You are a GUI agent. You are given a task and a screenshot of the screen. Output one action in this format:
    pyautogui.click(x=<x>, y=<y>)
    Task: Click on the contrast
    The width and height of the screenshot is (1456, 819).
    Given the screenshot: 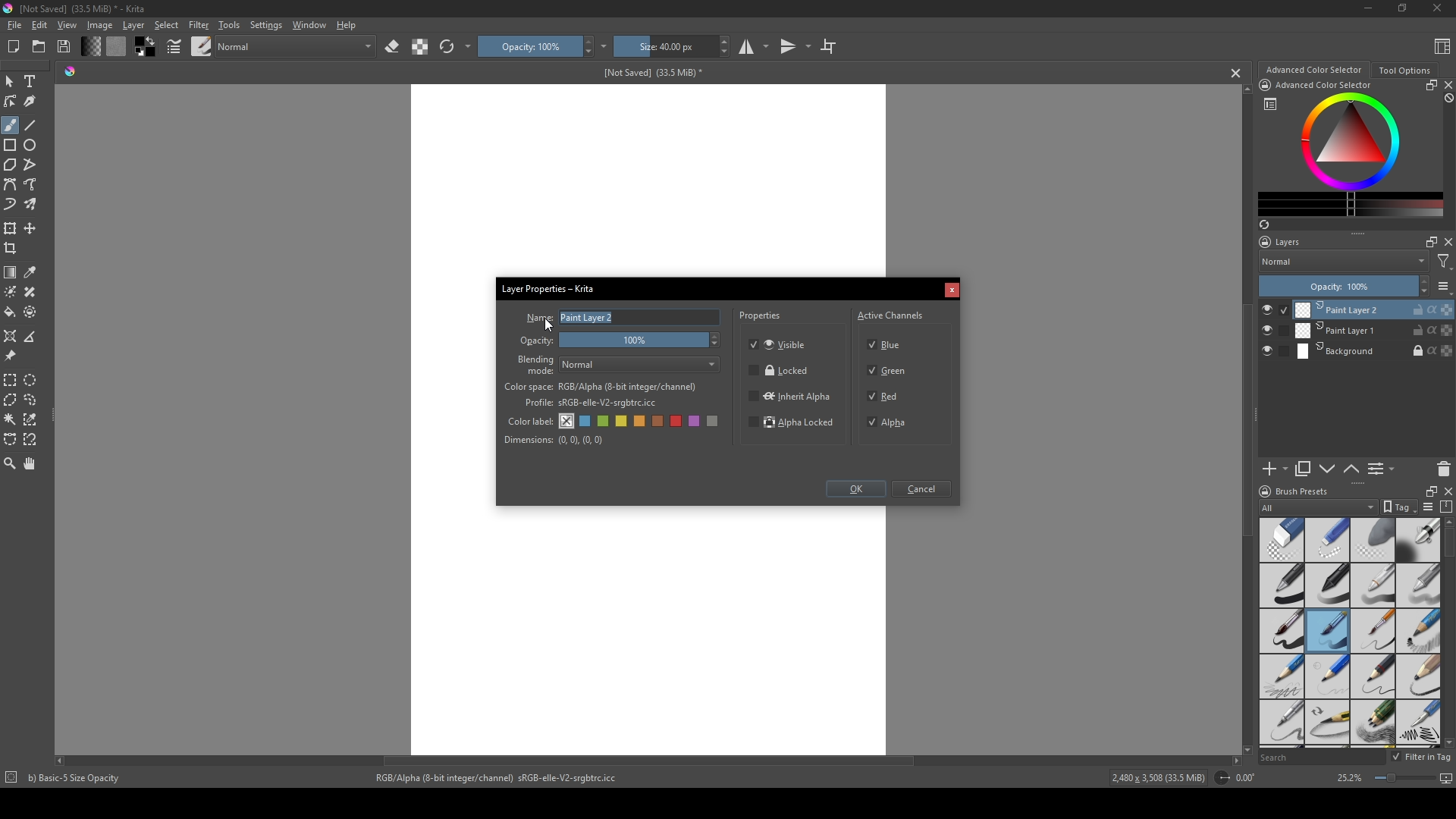 What is the action you would take?
    pyautogui.click(x=419, y=46)
    